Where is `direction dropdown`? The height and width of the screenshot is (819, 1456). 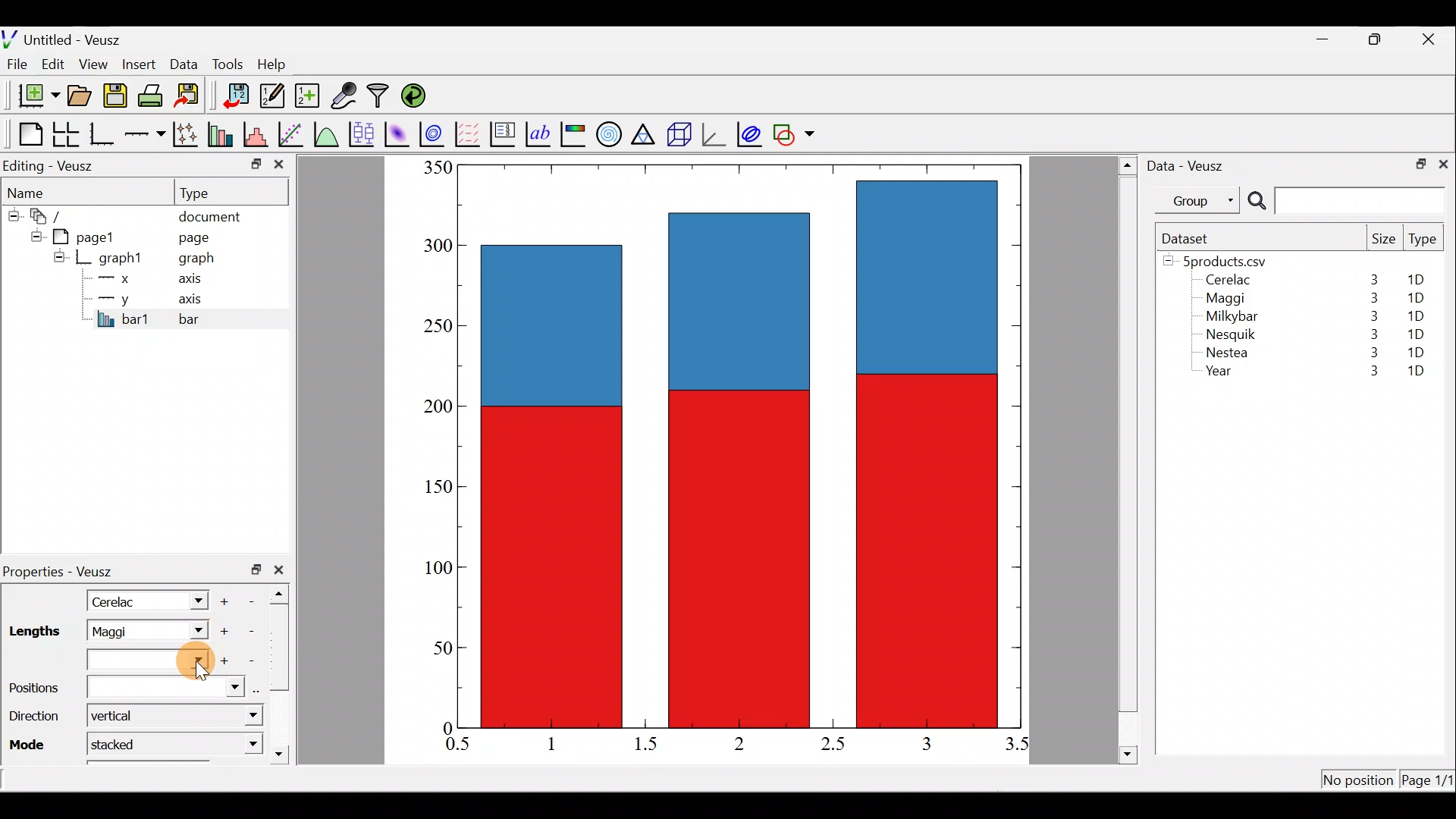 direction dropdown is located at coordinates (237, 717).